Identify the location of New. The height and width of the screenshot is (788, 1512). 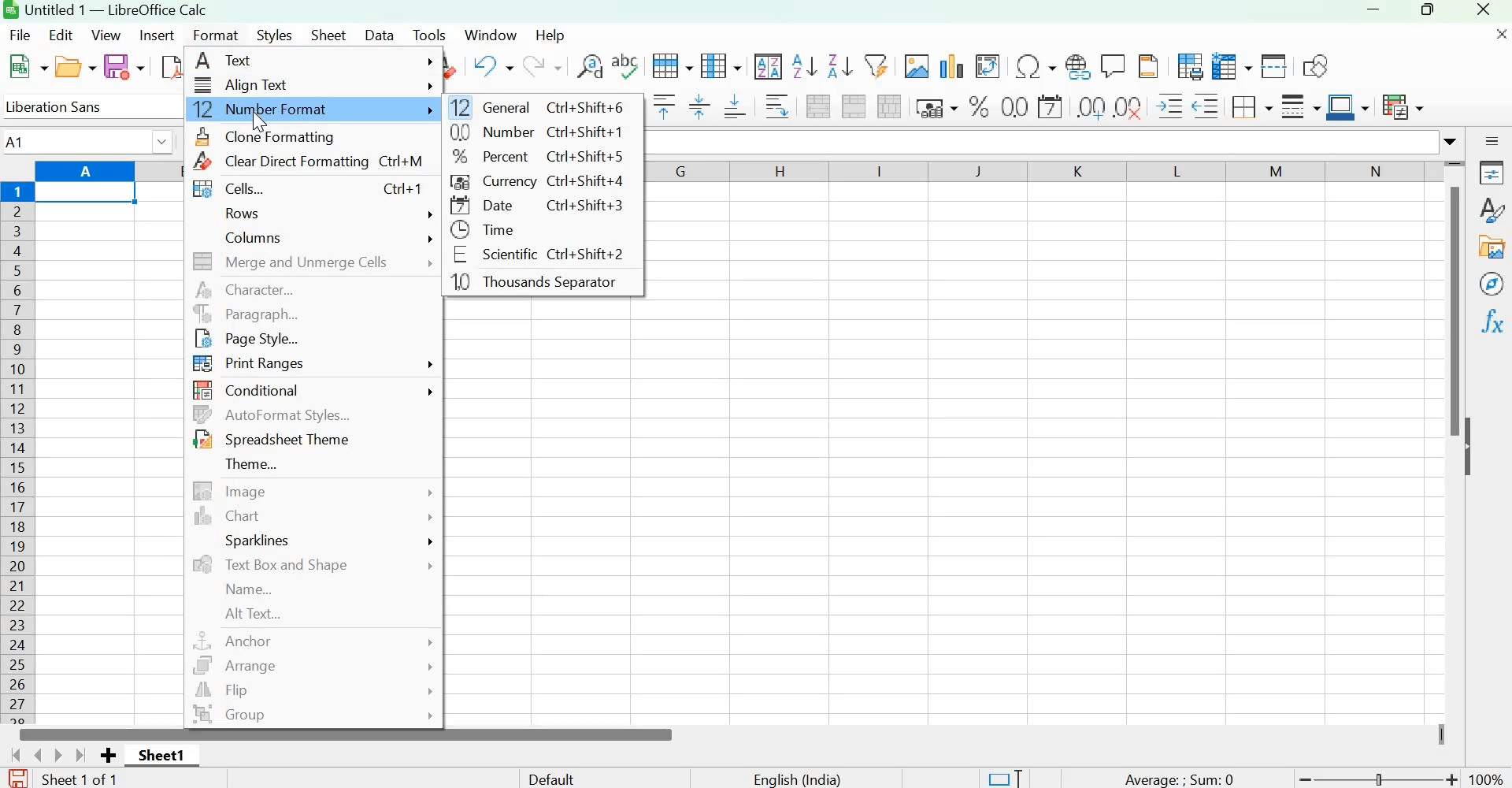
(28, 67).